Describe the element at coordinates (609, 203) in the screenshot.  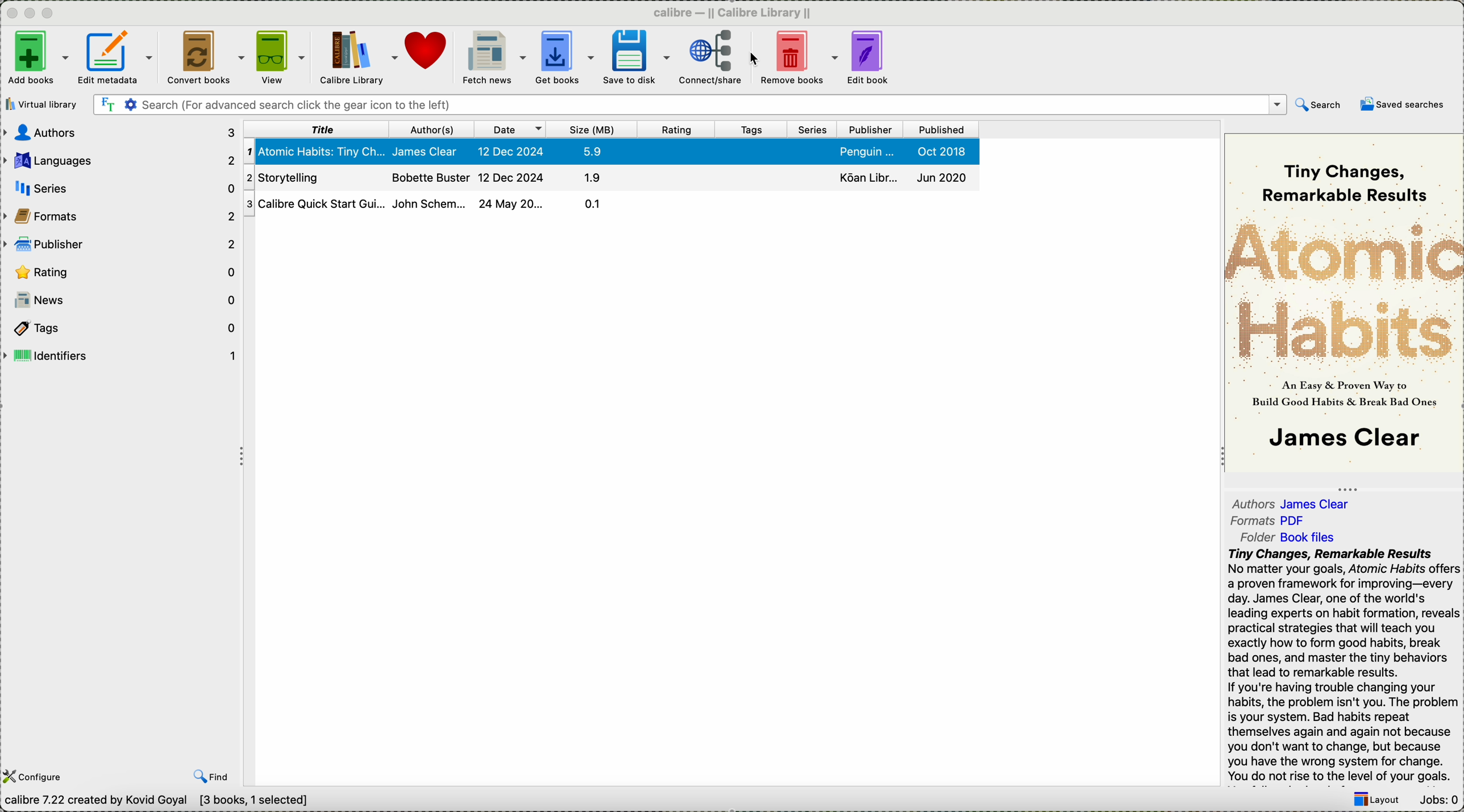
I see `third book` at that location.